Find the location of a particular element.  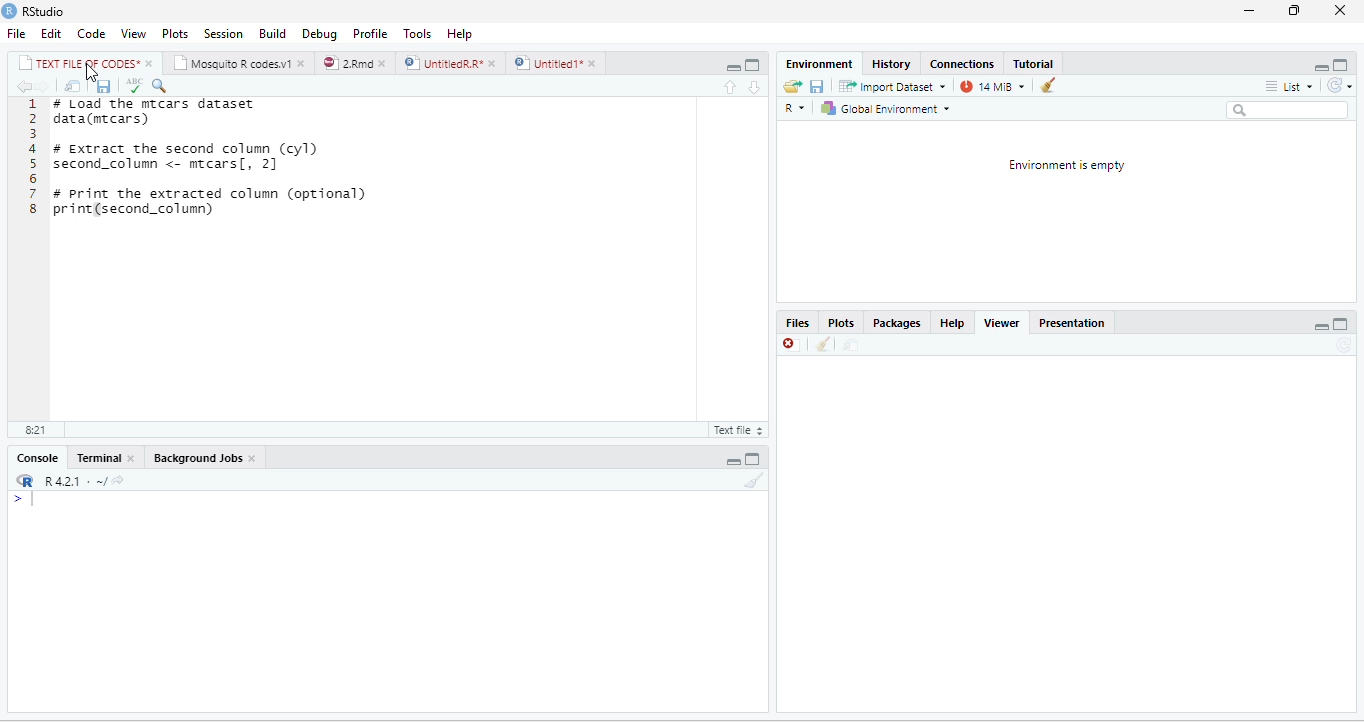

Plots is located at coordinates (175, 32).